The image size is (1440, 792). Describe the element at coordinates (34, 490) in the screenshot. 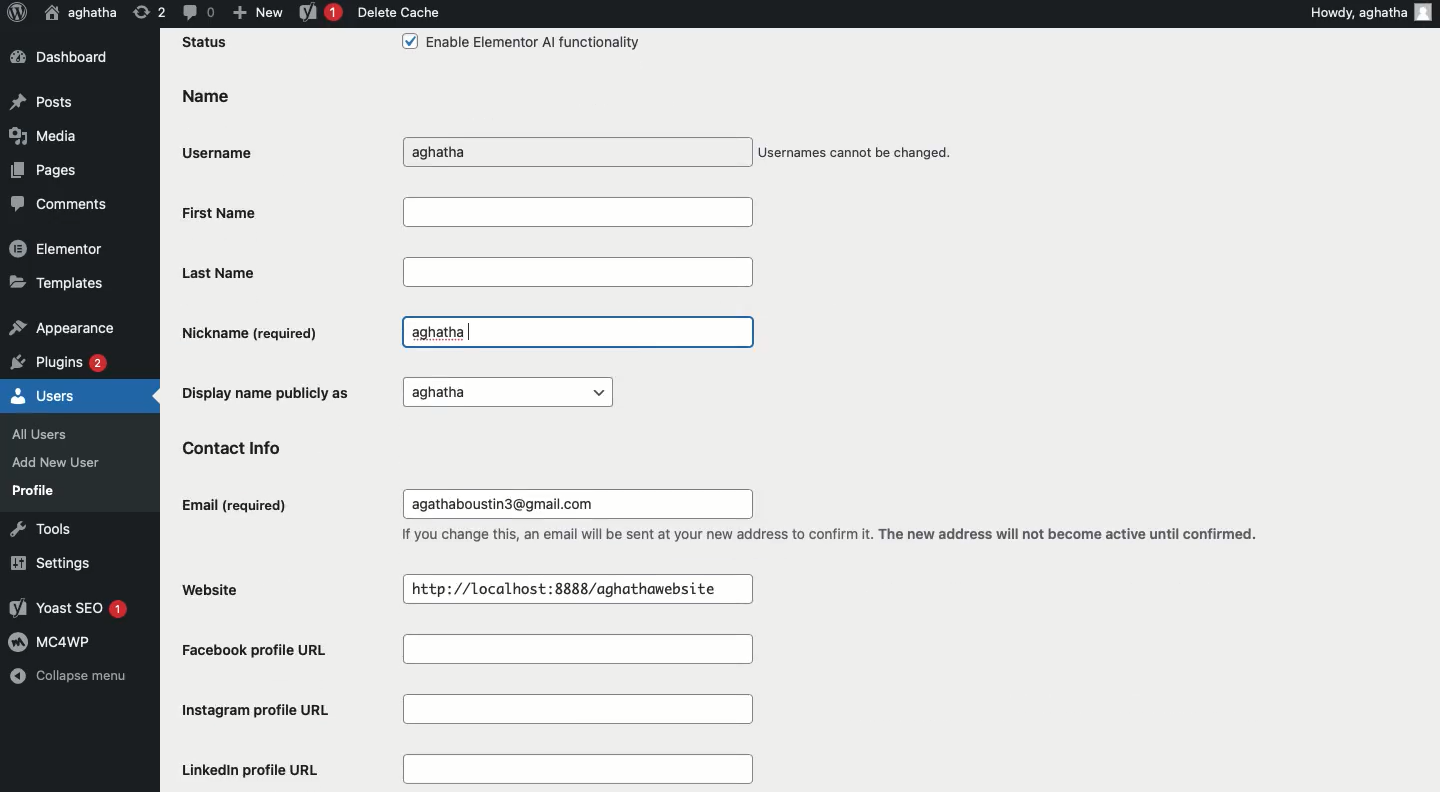

I see `Profile` at that location.